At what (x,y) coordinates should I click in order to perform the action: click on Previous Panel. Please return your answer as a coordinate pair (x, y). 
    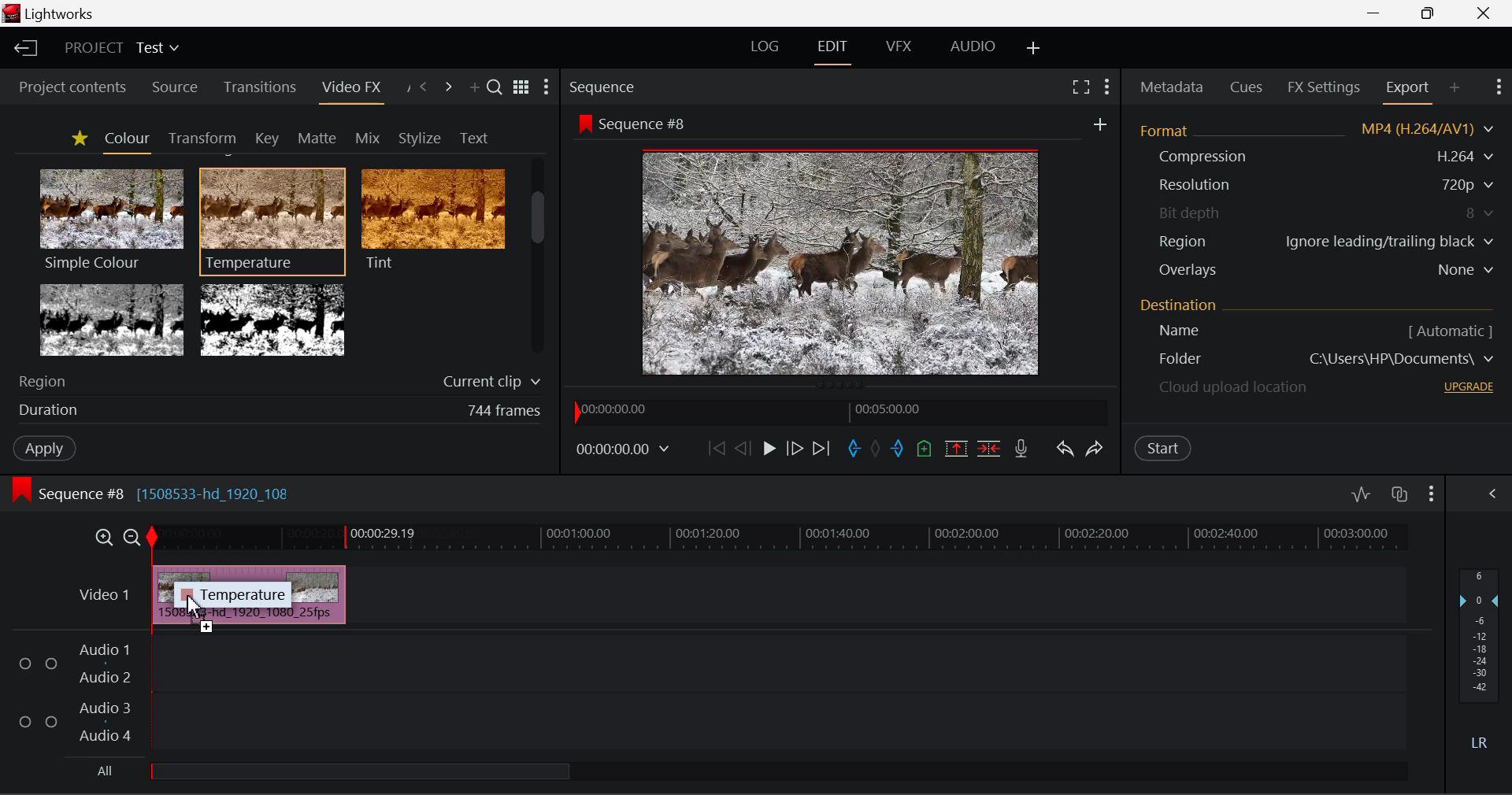
    Looking at the image, I should click on (425, 89).